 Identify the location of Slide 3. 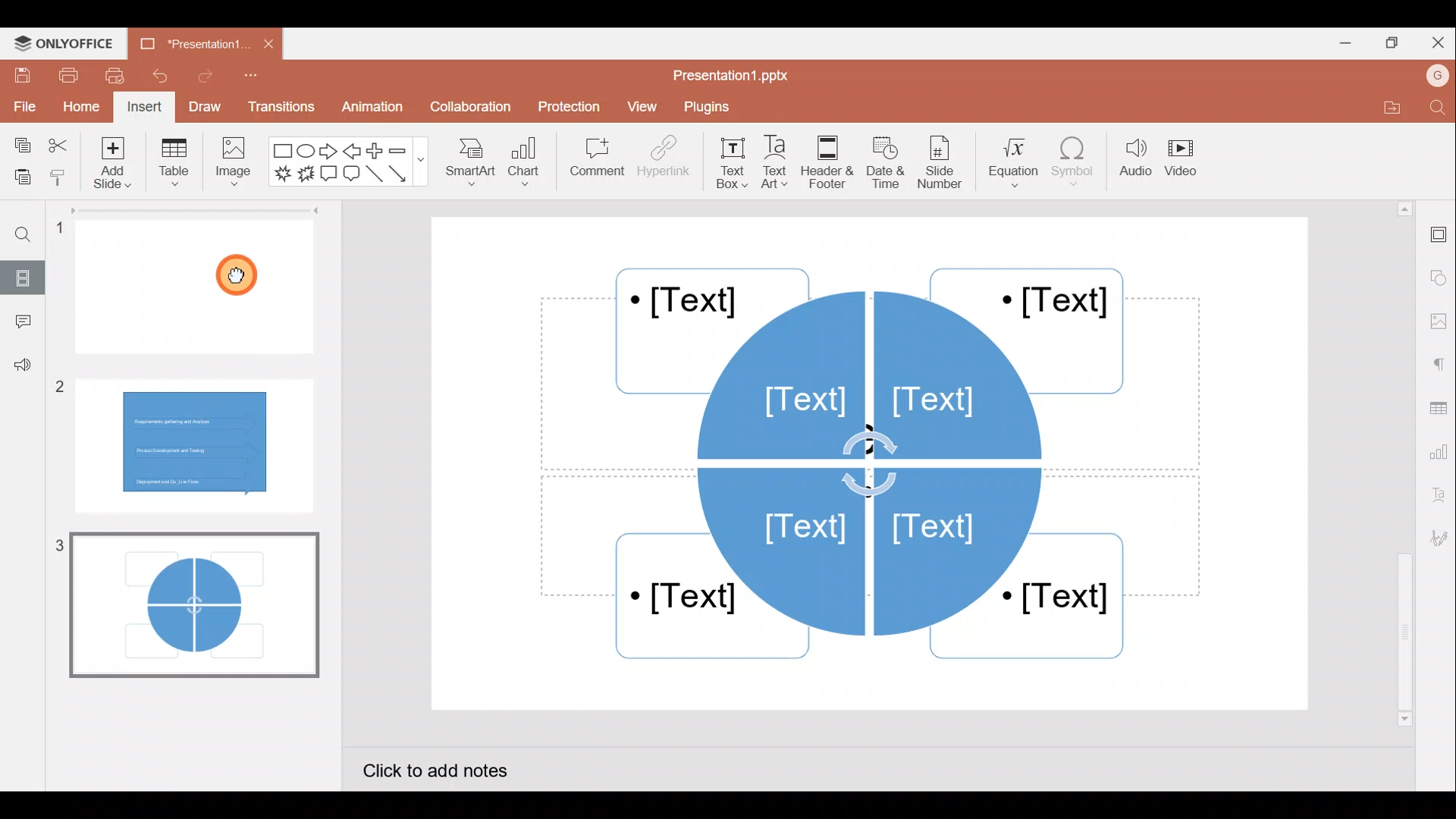
(190, 604).